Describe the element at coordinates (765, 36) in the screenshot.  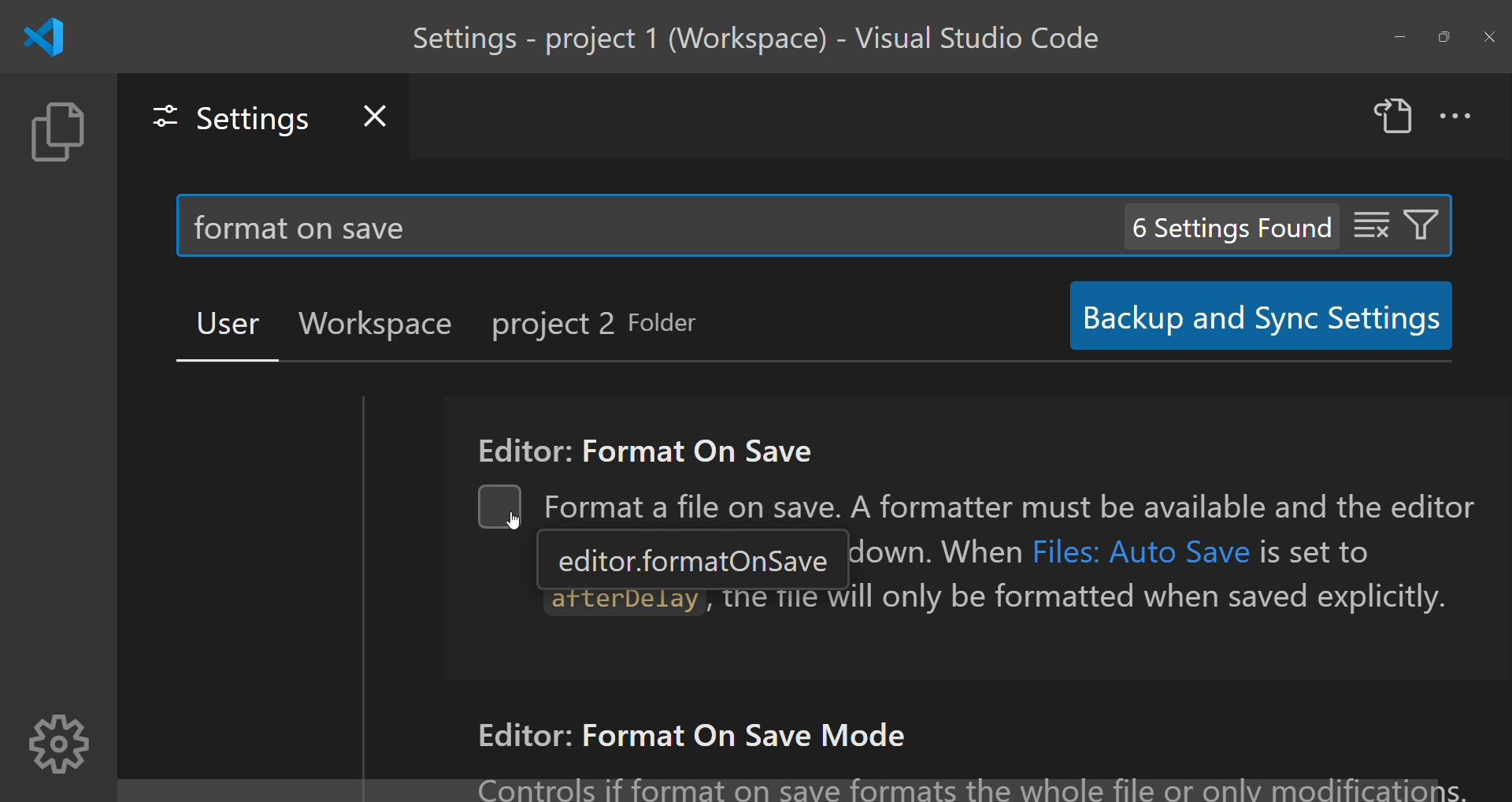
I see `title` at that location.